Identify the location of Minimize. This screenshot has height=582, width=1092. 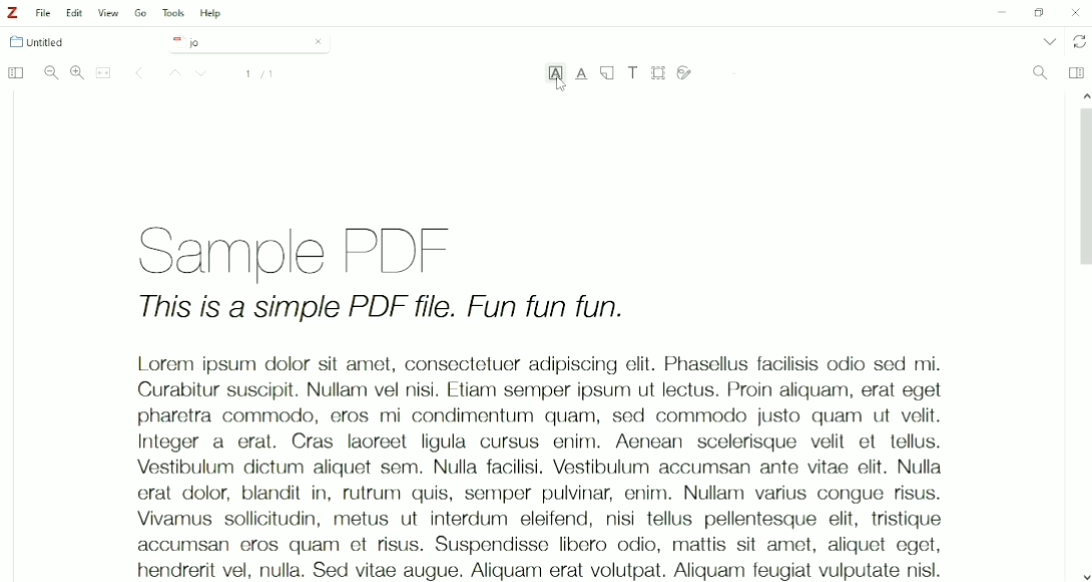
(999, 14).